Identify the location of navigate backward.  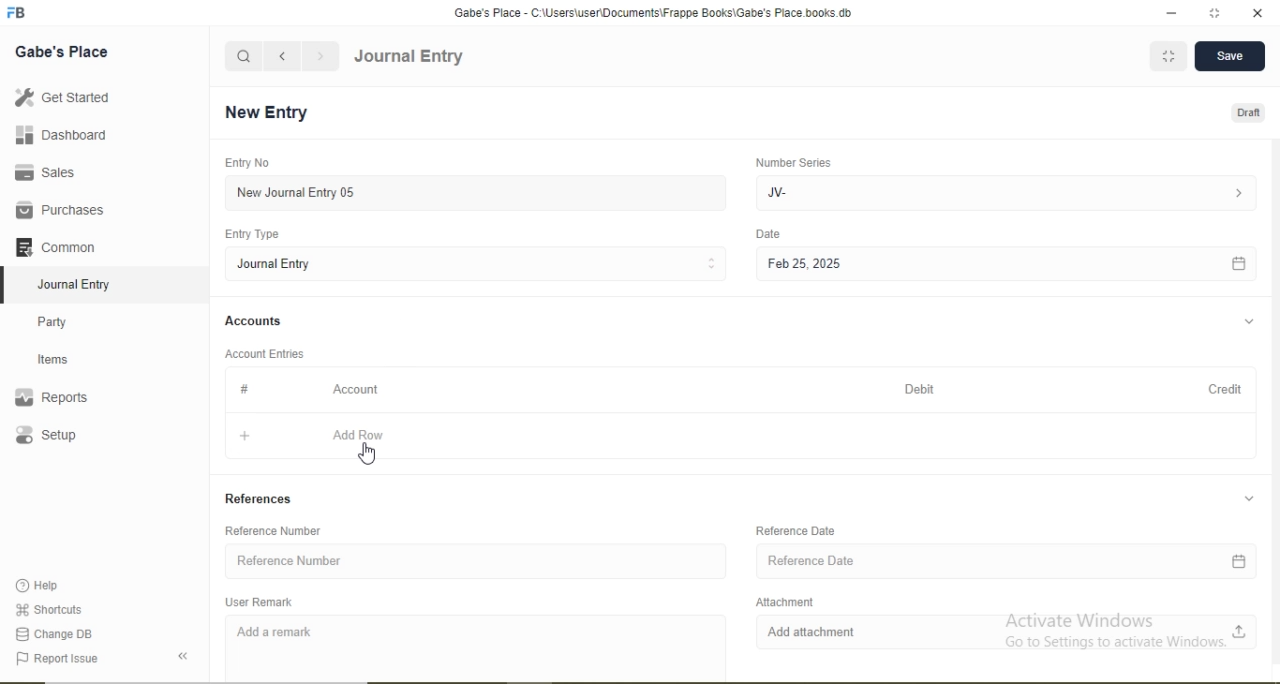
(281, 56).